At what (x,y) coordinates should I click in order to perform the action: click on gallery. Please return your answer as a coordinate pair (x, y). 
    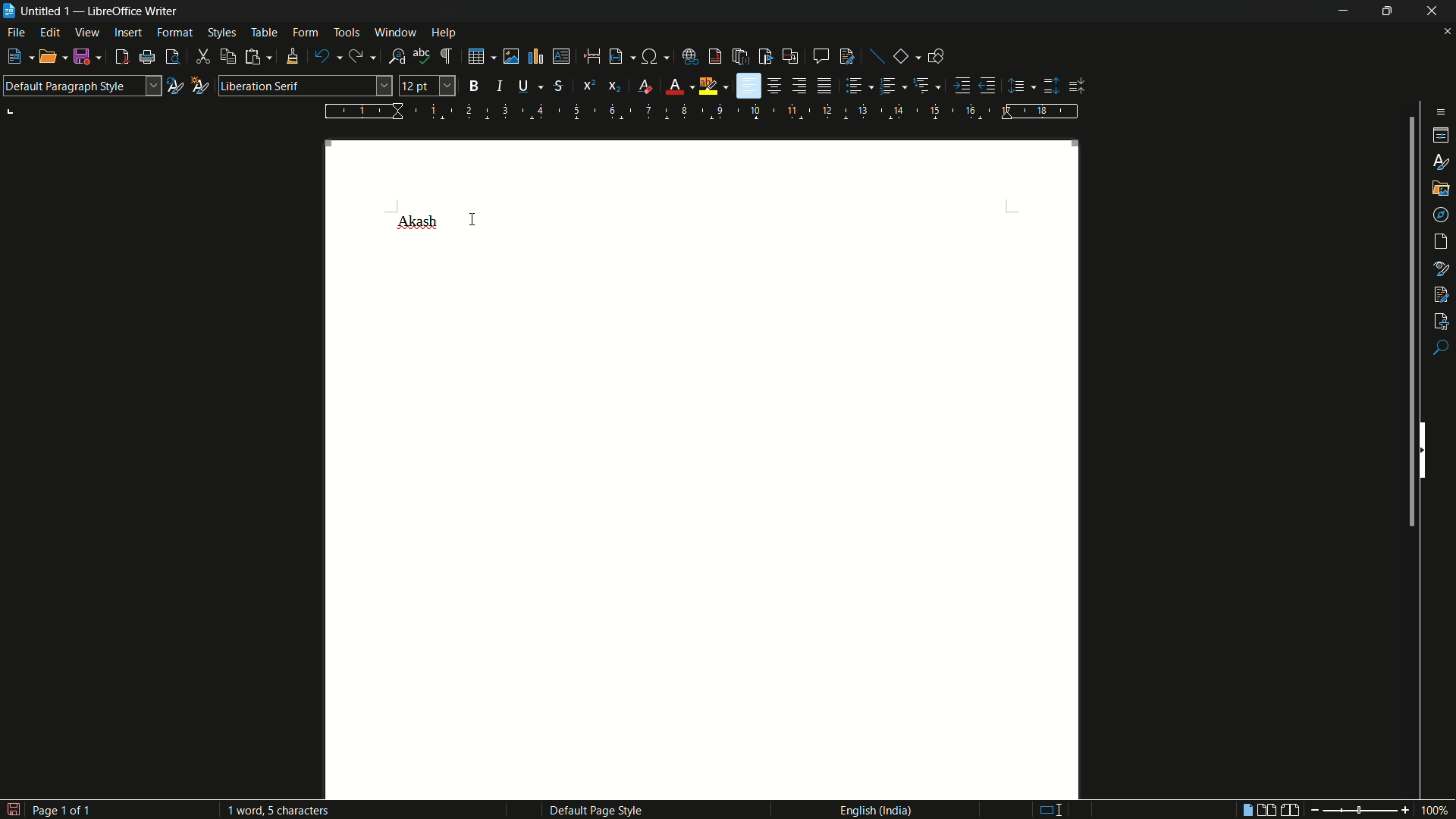
    Looking at the image, I should click on (1441, 187).